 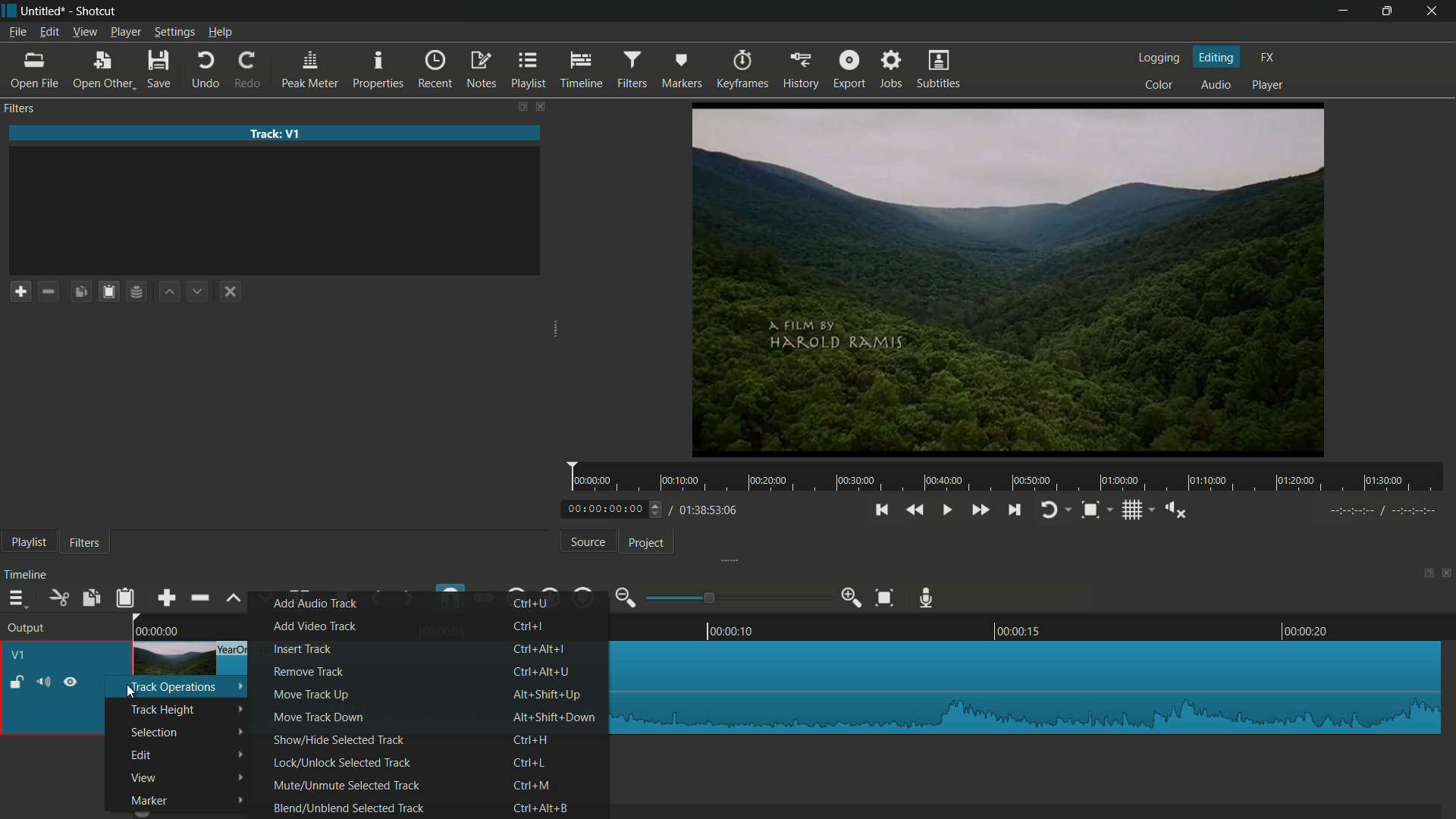 What do you see at coordinates (143, 778) in the screenshot?
I see `view` at bounding box center [143, 778].